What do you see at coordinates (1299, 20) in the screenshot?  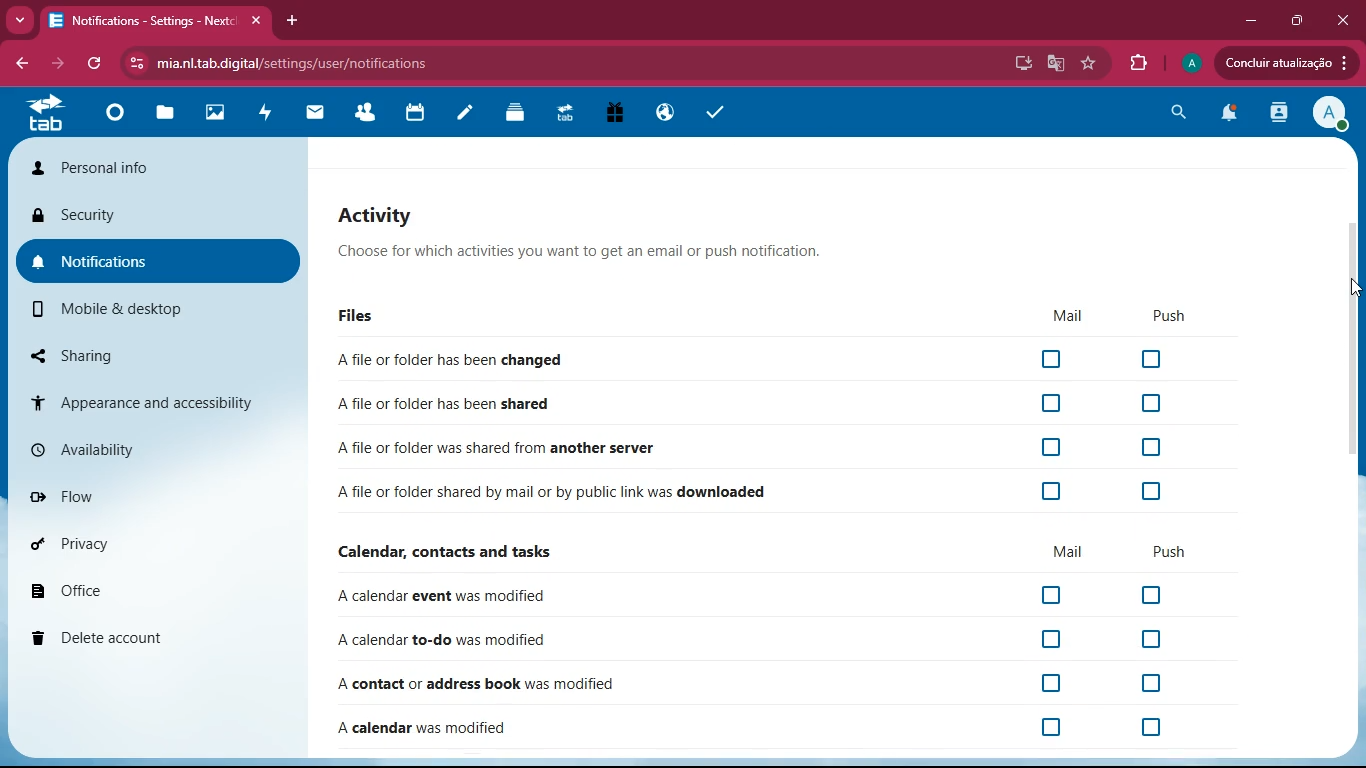 I see `maximize` at bounding box center [1299, 20].